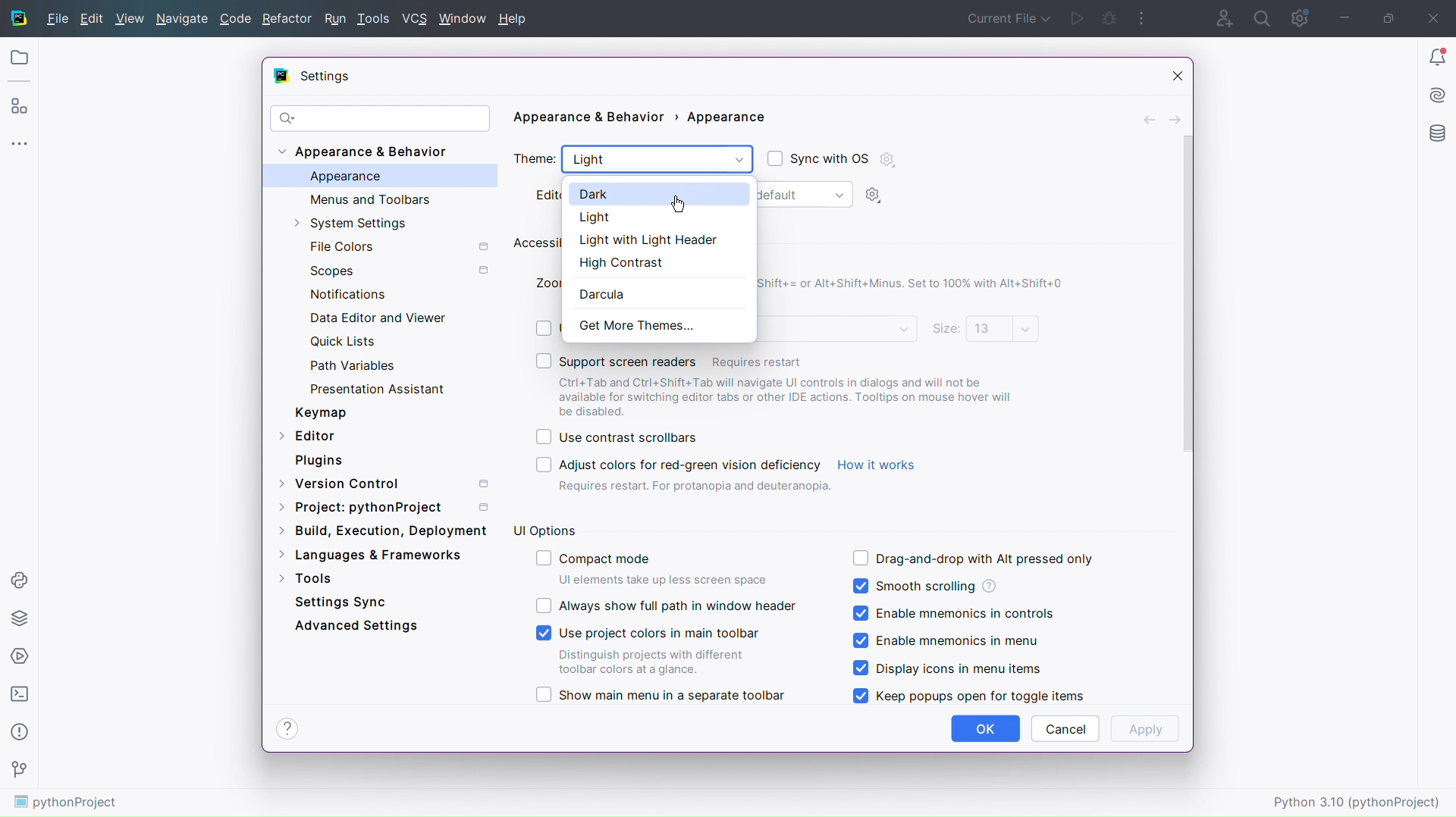 The image size is (1456, 817). I want to click on Settings, so click(323, 77).